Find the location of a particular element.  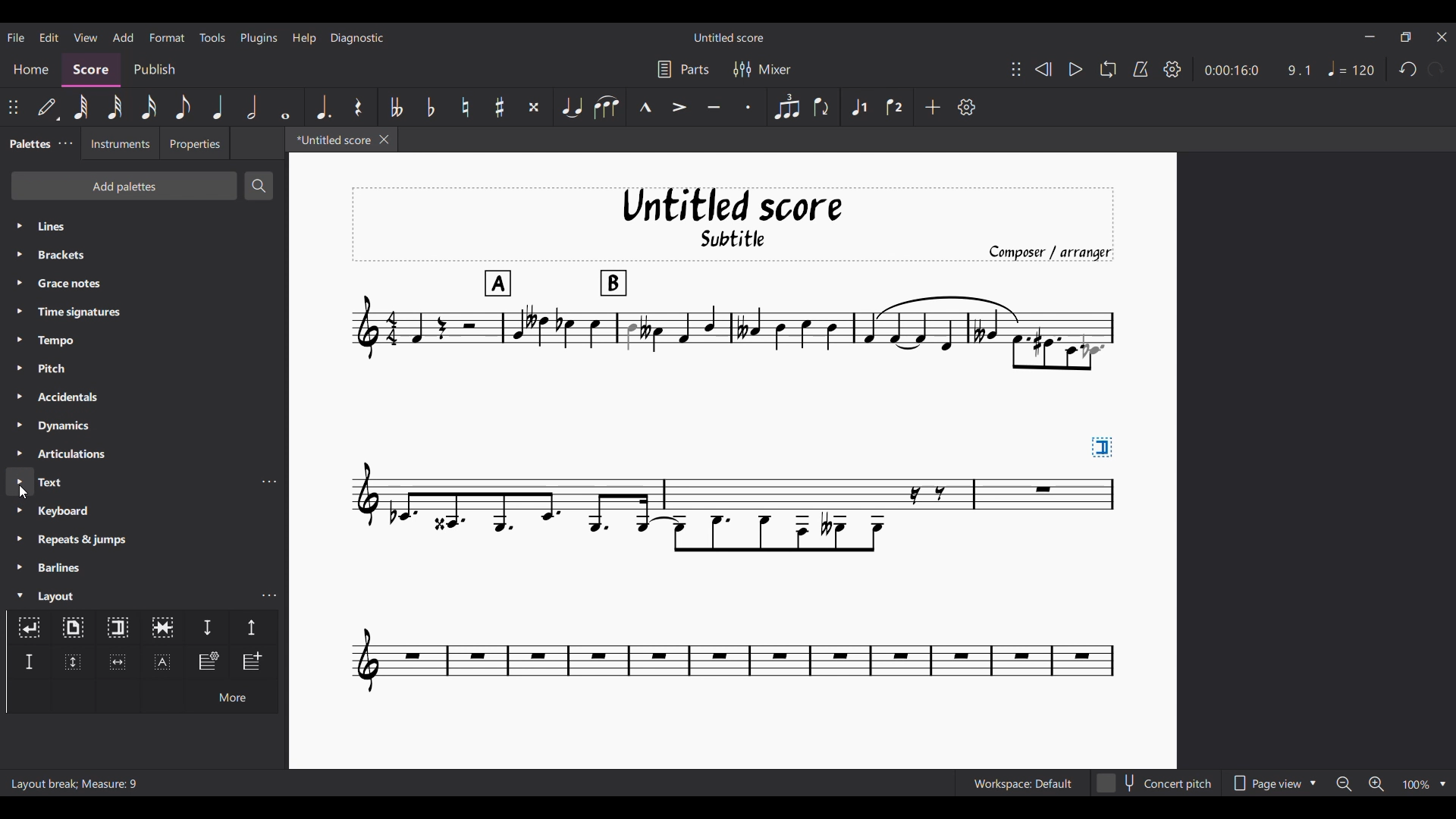

Untitled score is located at coordinates (729, 38).